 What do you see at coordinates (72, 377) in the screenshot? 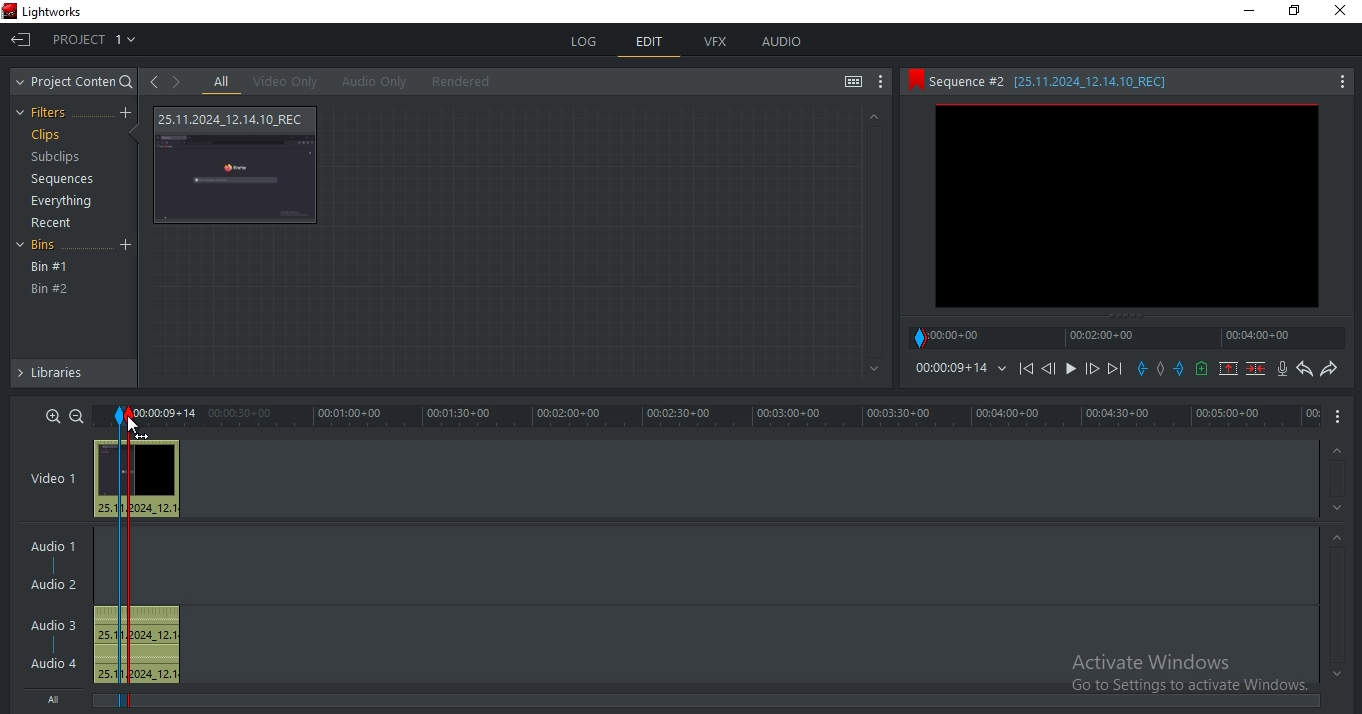
I see `libraries` at bounding box center [72, 377].